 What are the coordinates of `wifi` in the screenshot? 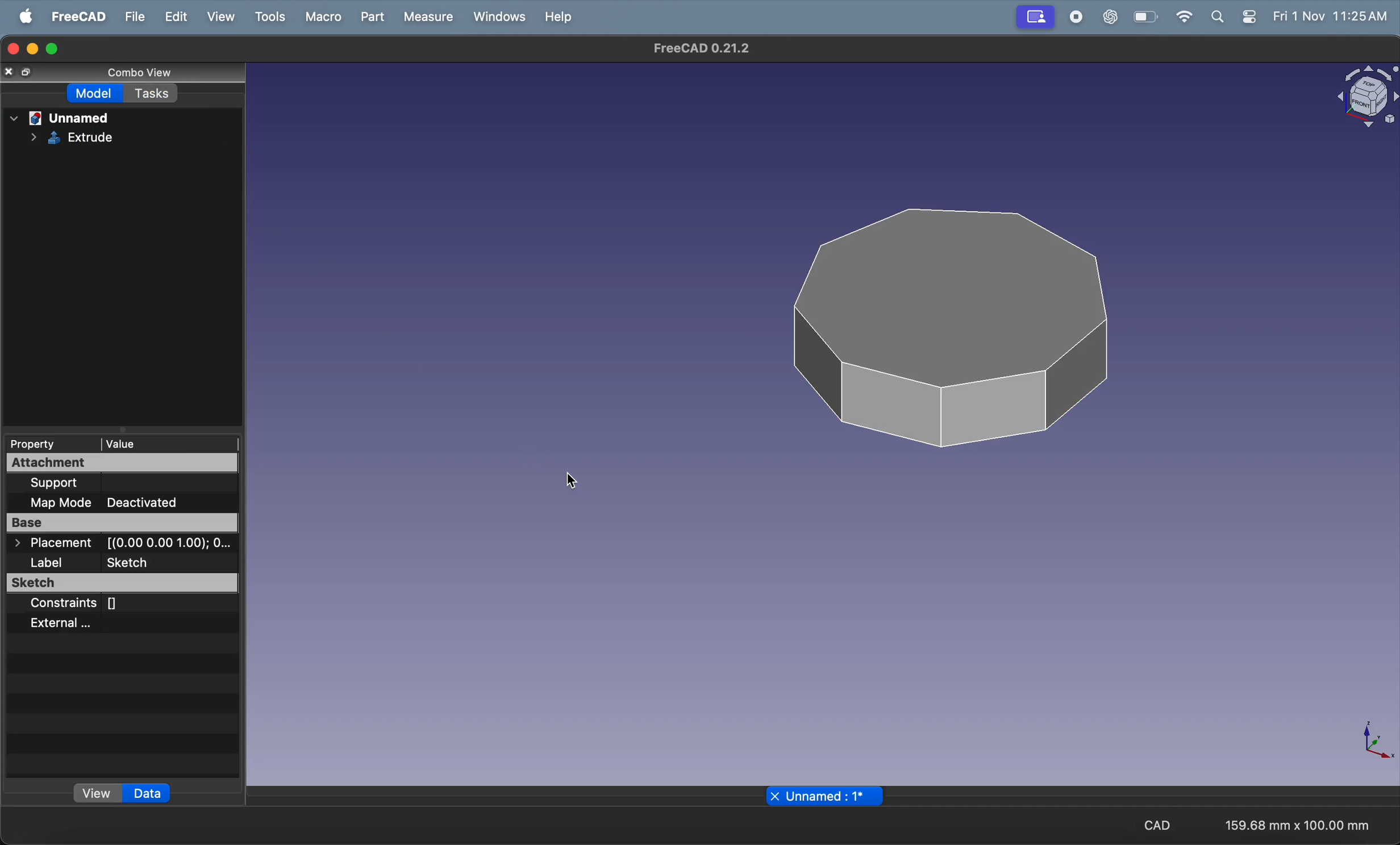 It's located at (1181, 16).